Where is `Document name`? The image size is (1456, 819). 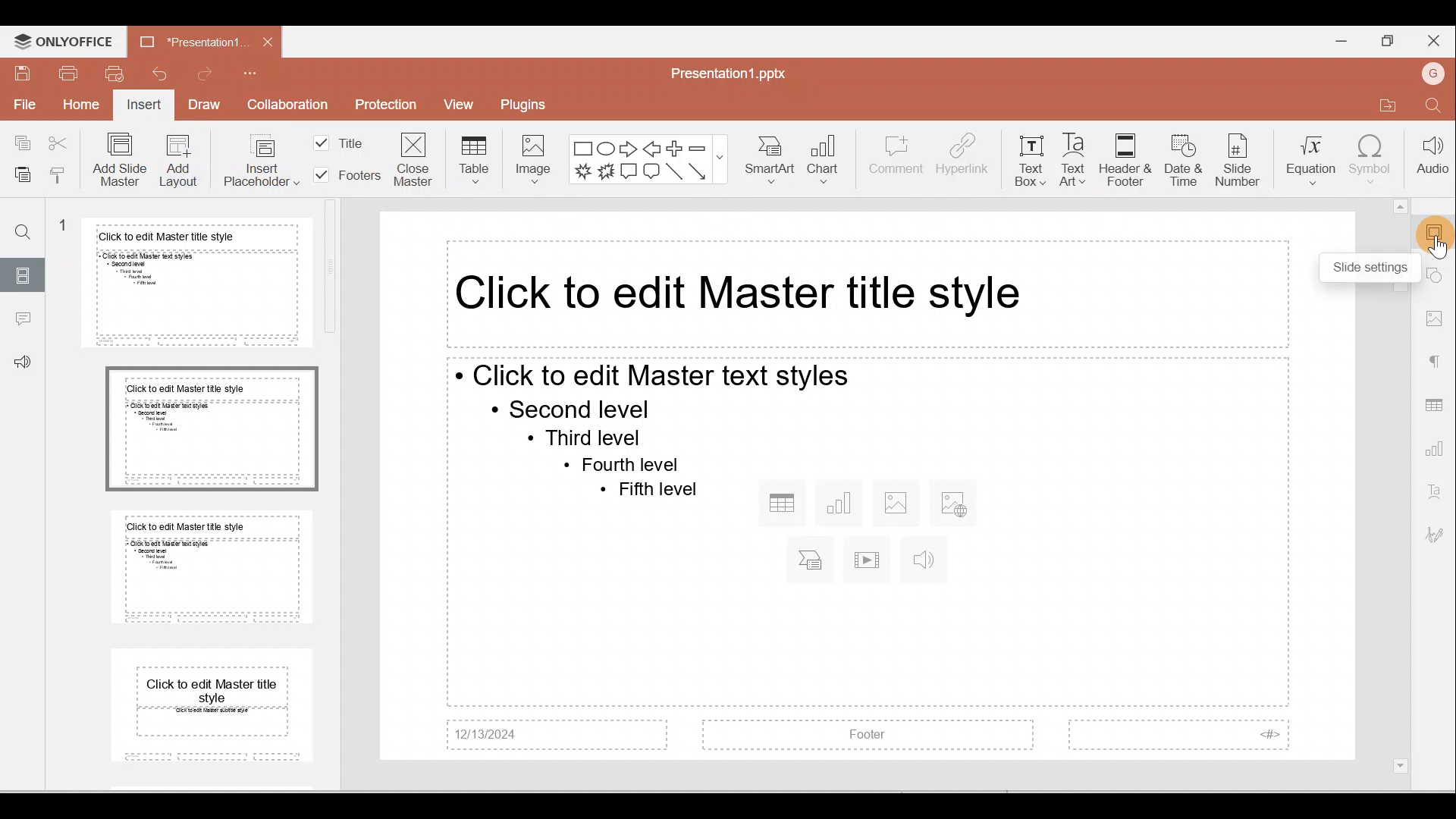
Document name is located at coordinates (187, 39).